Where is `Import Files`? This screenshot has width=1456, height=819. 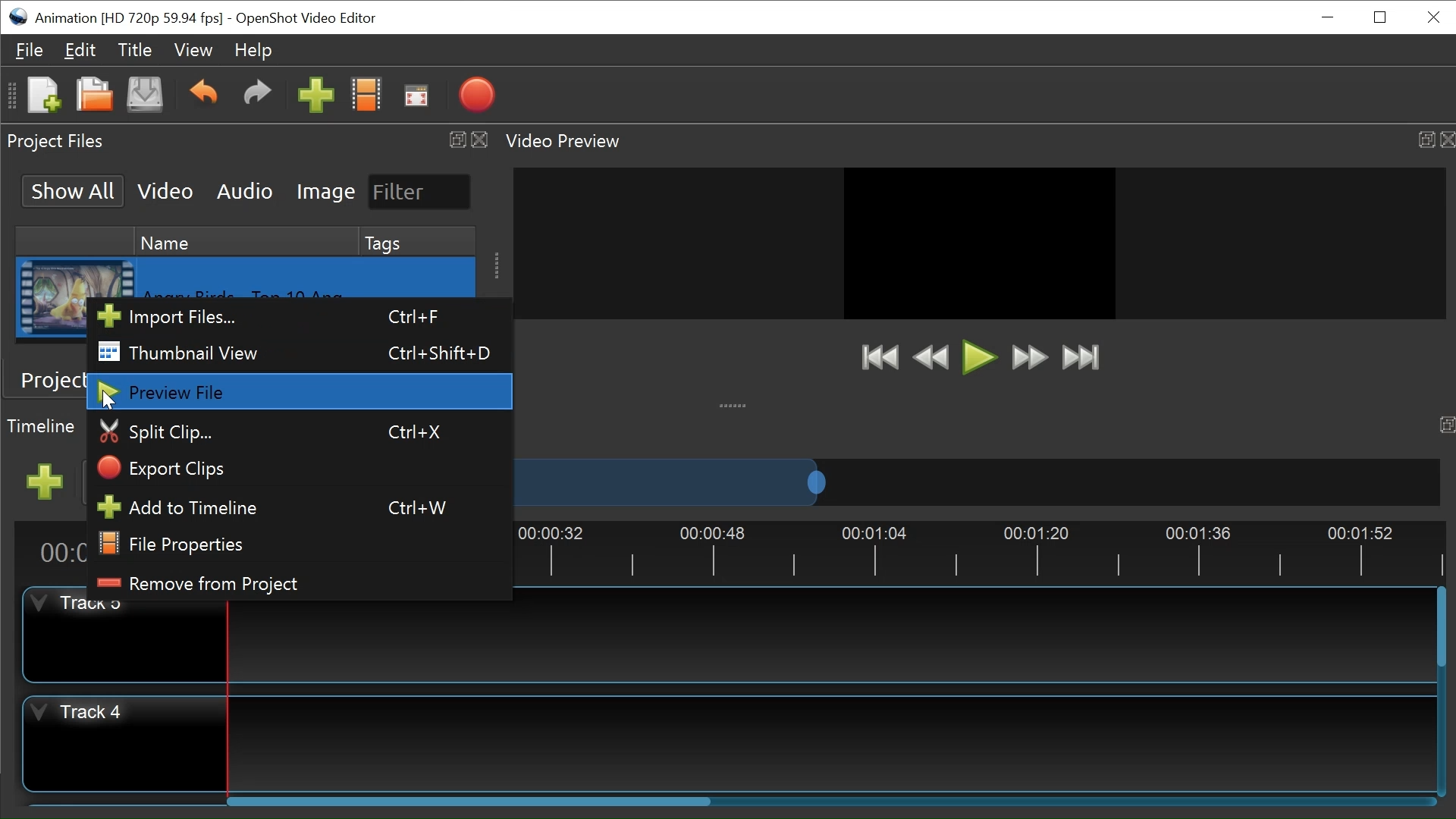 Import Files is located at coordinates (315, 94).